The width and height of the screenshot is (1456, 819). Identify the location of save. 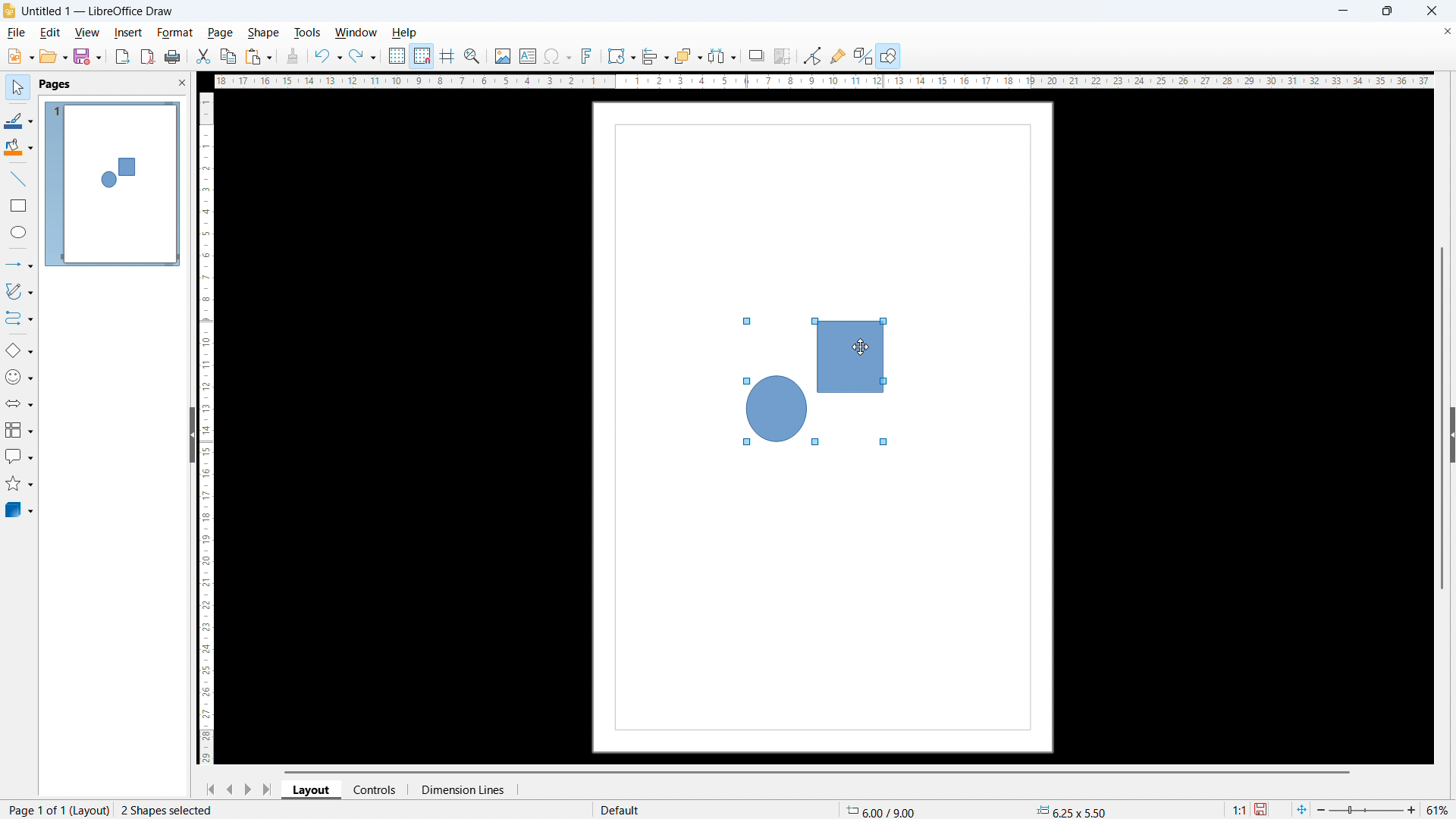
(88, 57).